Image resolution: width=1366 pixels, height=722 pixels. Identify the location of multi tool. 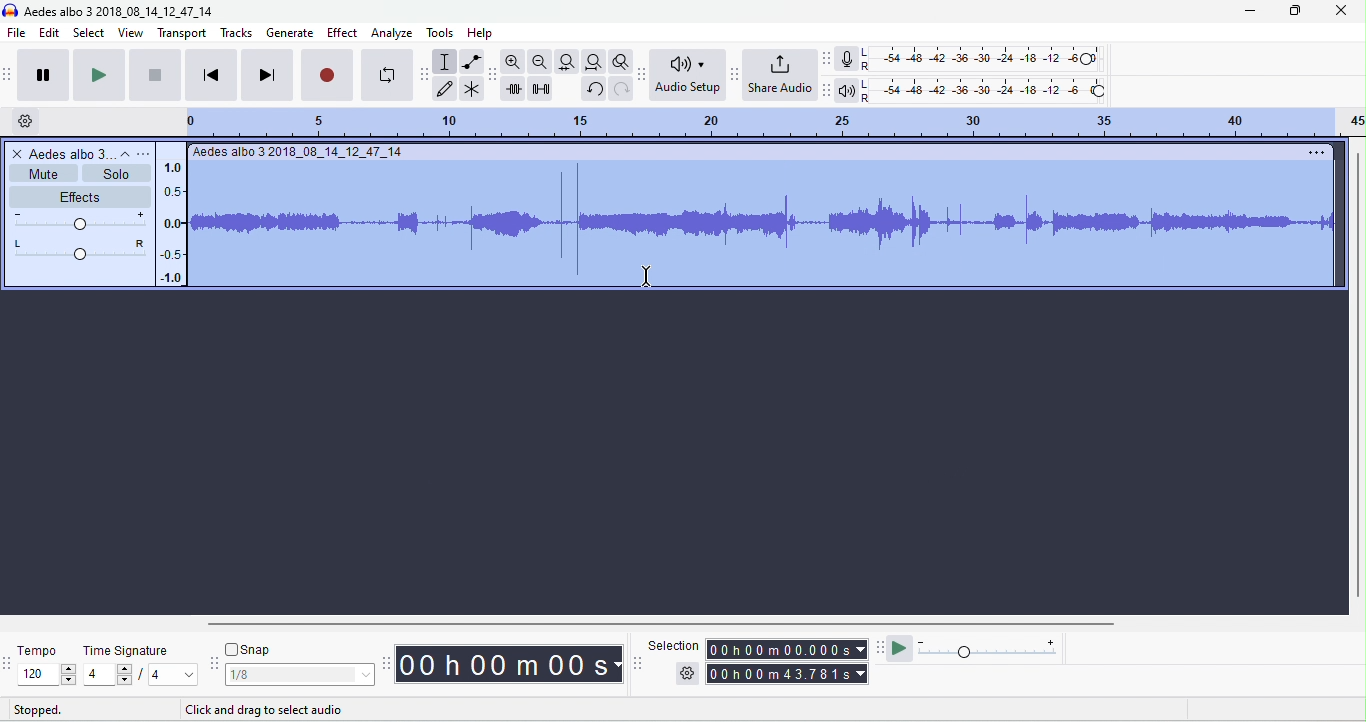
(472, 90).